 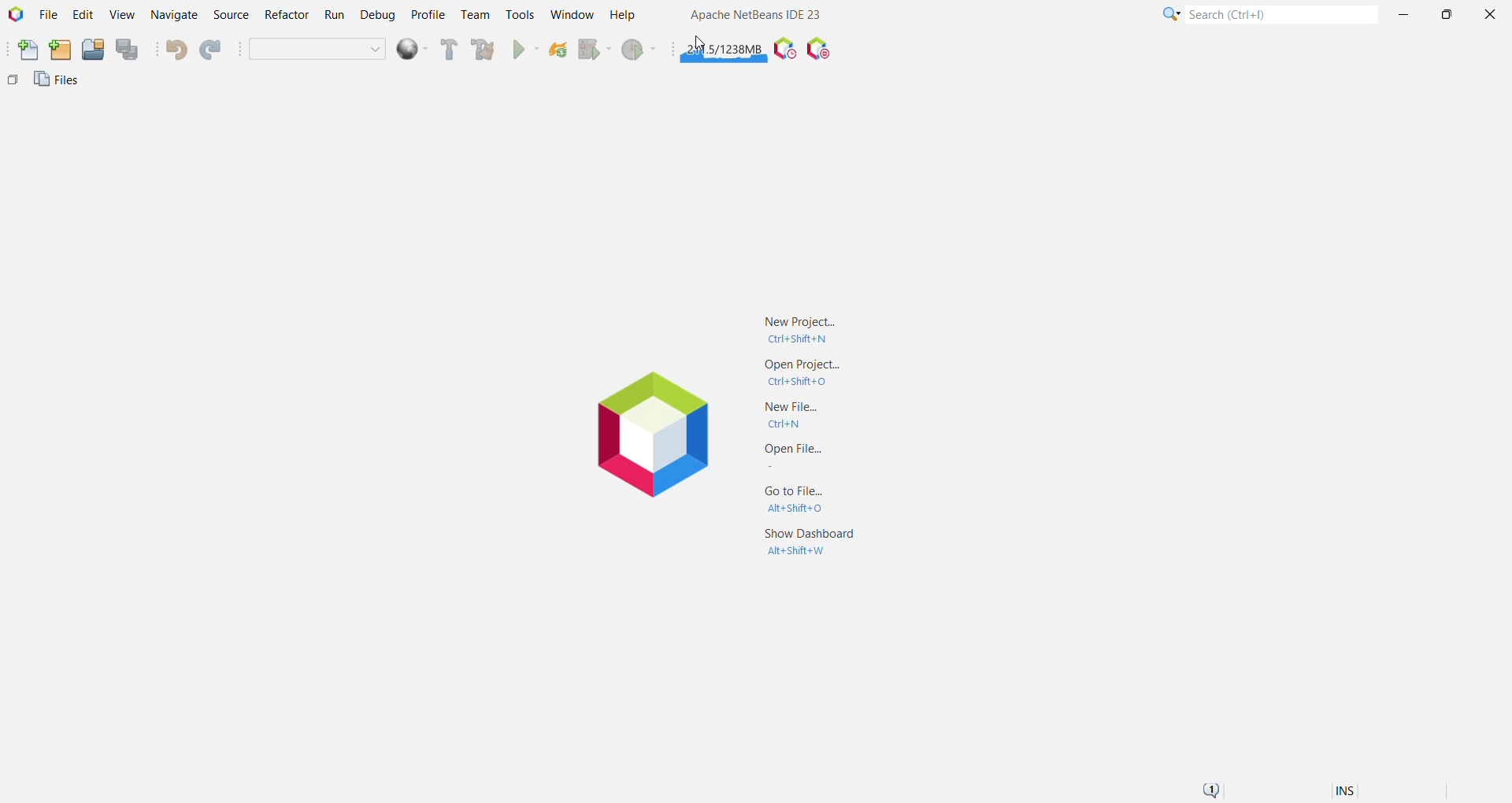 I want to click on Navigate, so click(x=175, y=16).